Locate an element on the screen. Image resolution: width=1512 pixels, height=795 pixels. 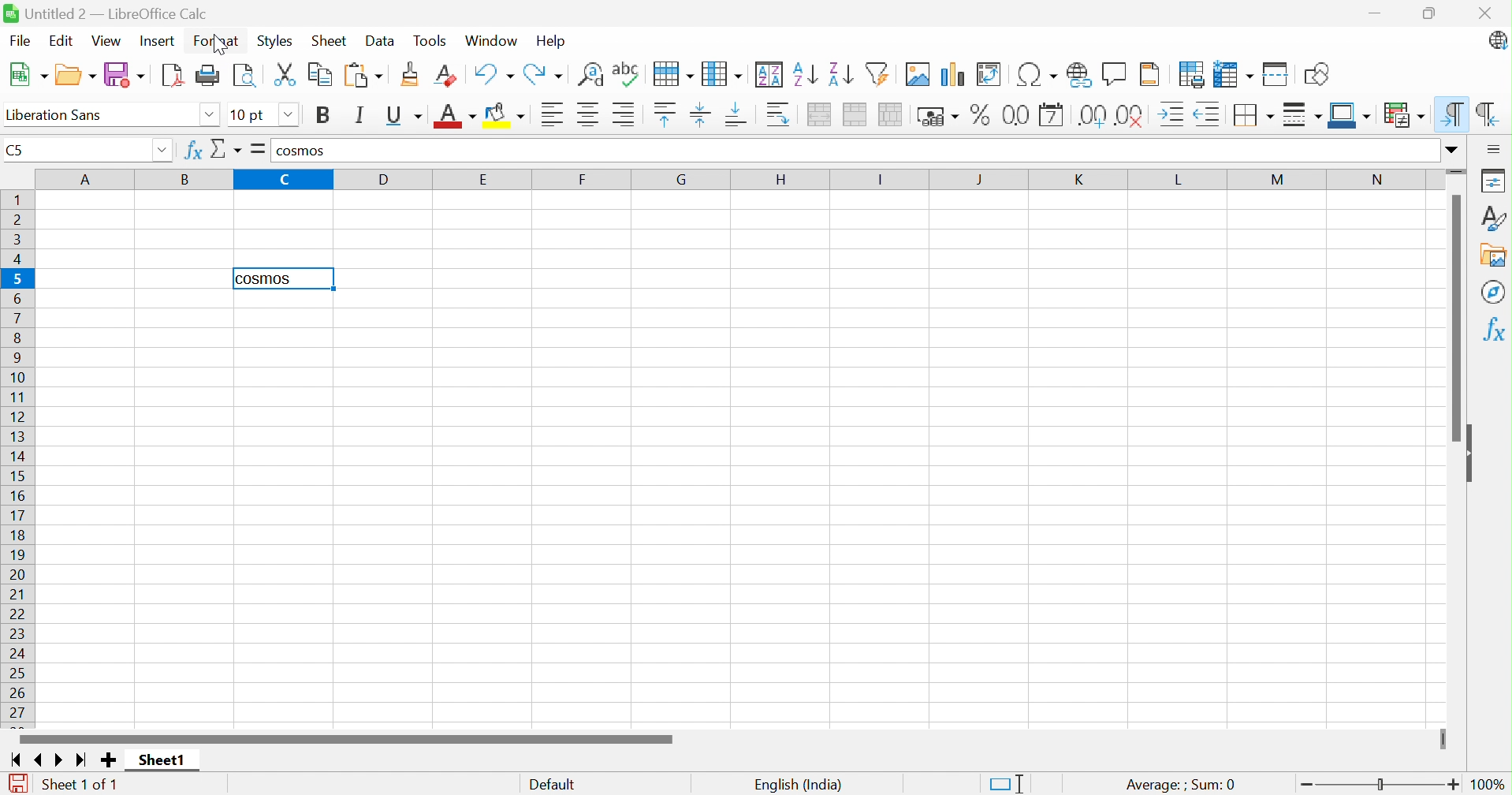
Auto filter is located at coordinates (880, 73).